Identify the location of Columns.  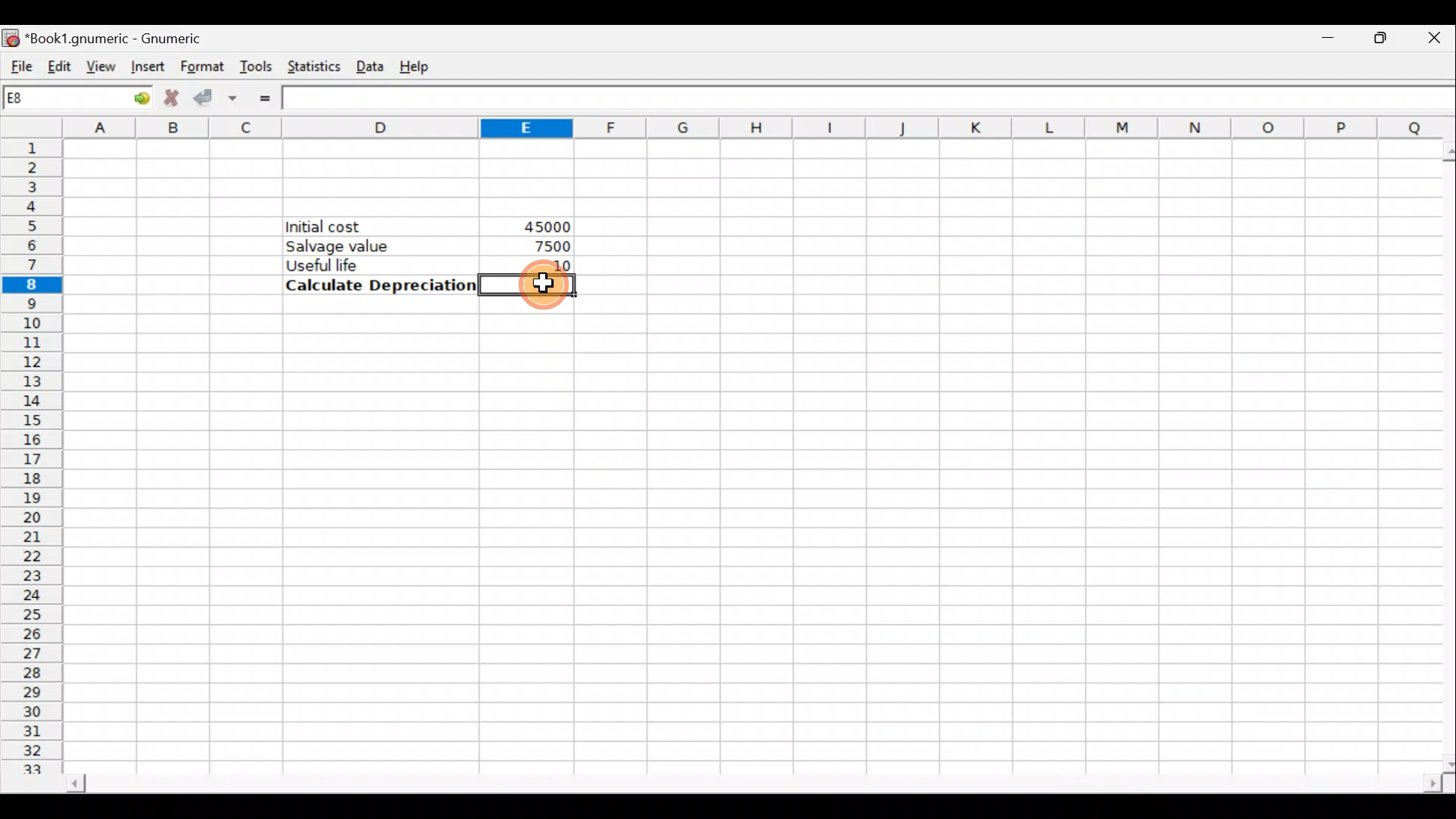
(752, 127).